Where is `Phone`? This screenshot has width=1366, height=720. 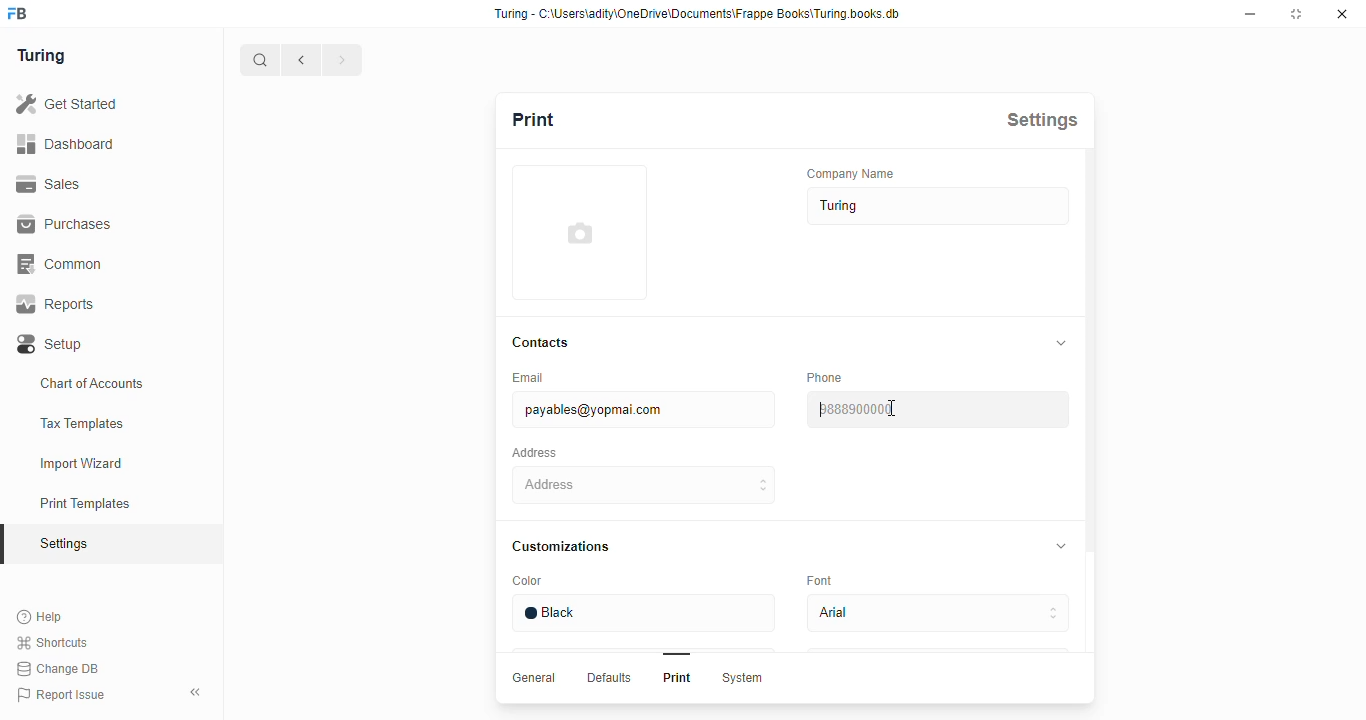 Phone is located at coordinates (829, 377).